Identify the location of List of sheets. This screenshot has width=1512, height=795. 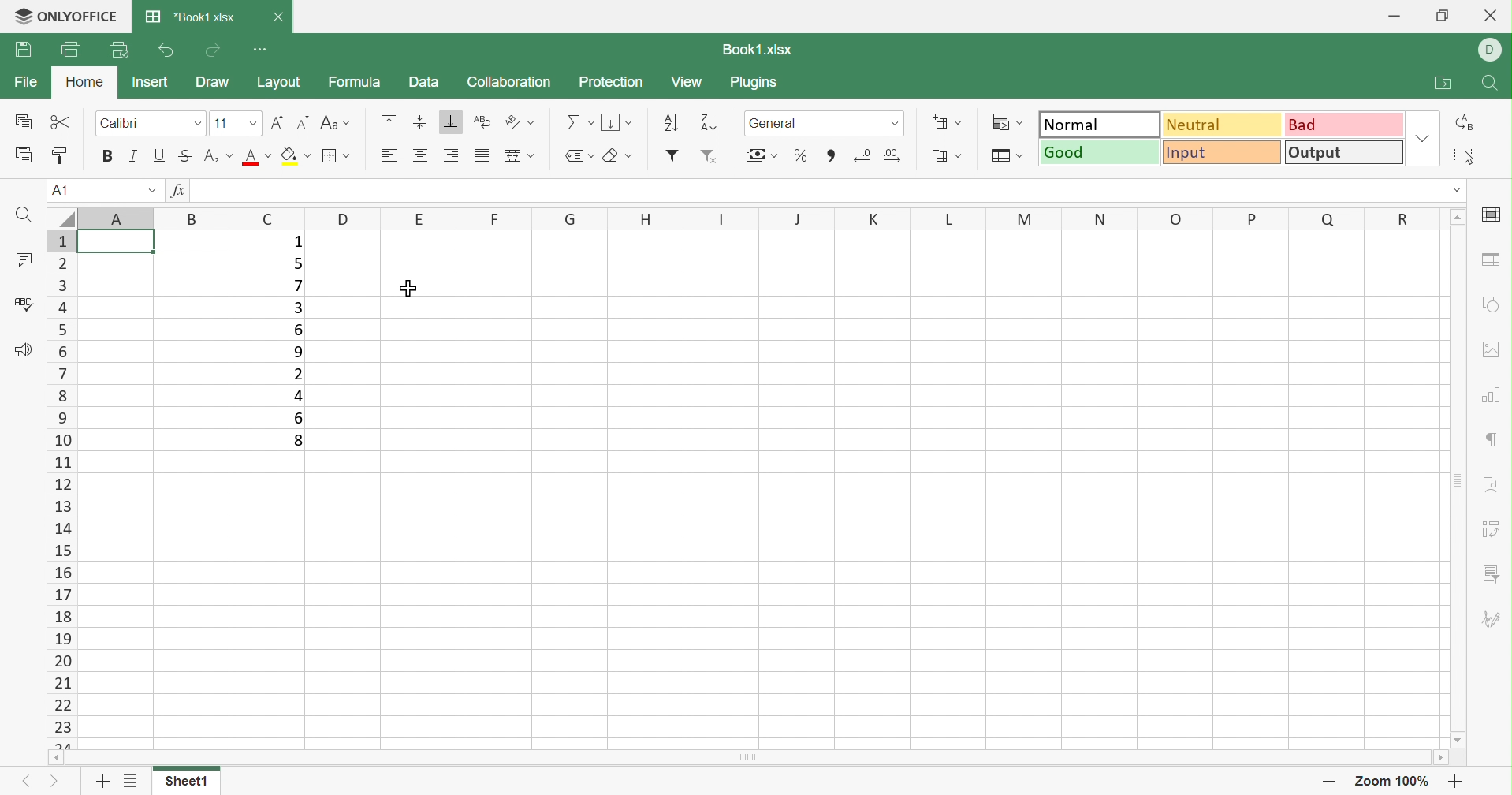
(132, 782).